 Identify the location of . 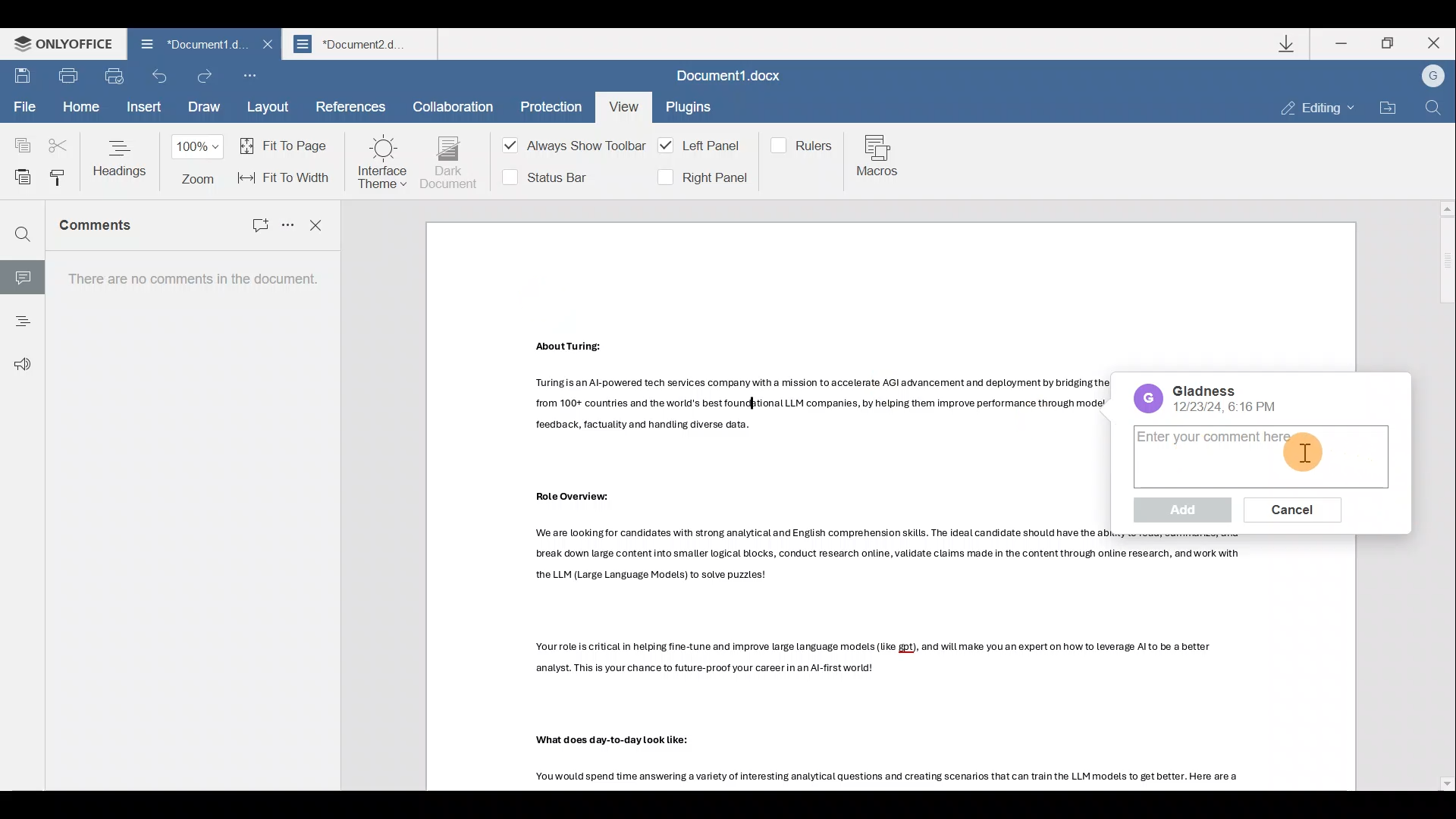
(579, 497).